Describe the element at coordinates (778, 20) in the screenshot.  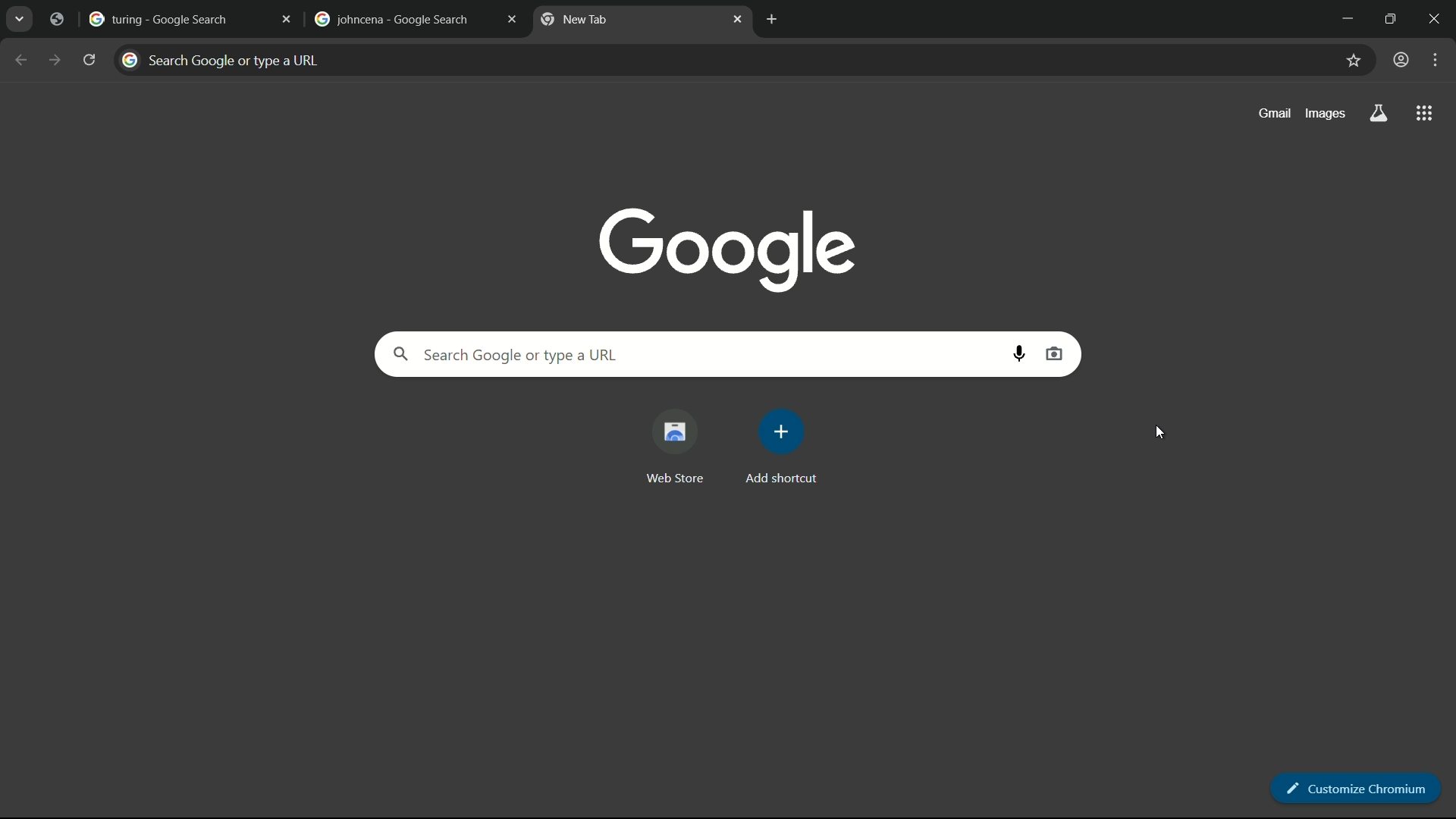
I see `add new tab` at that location.